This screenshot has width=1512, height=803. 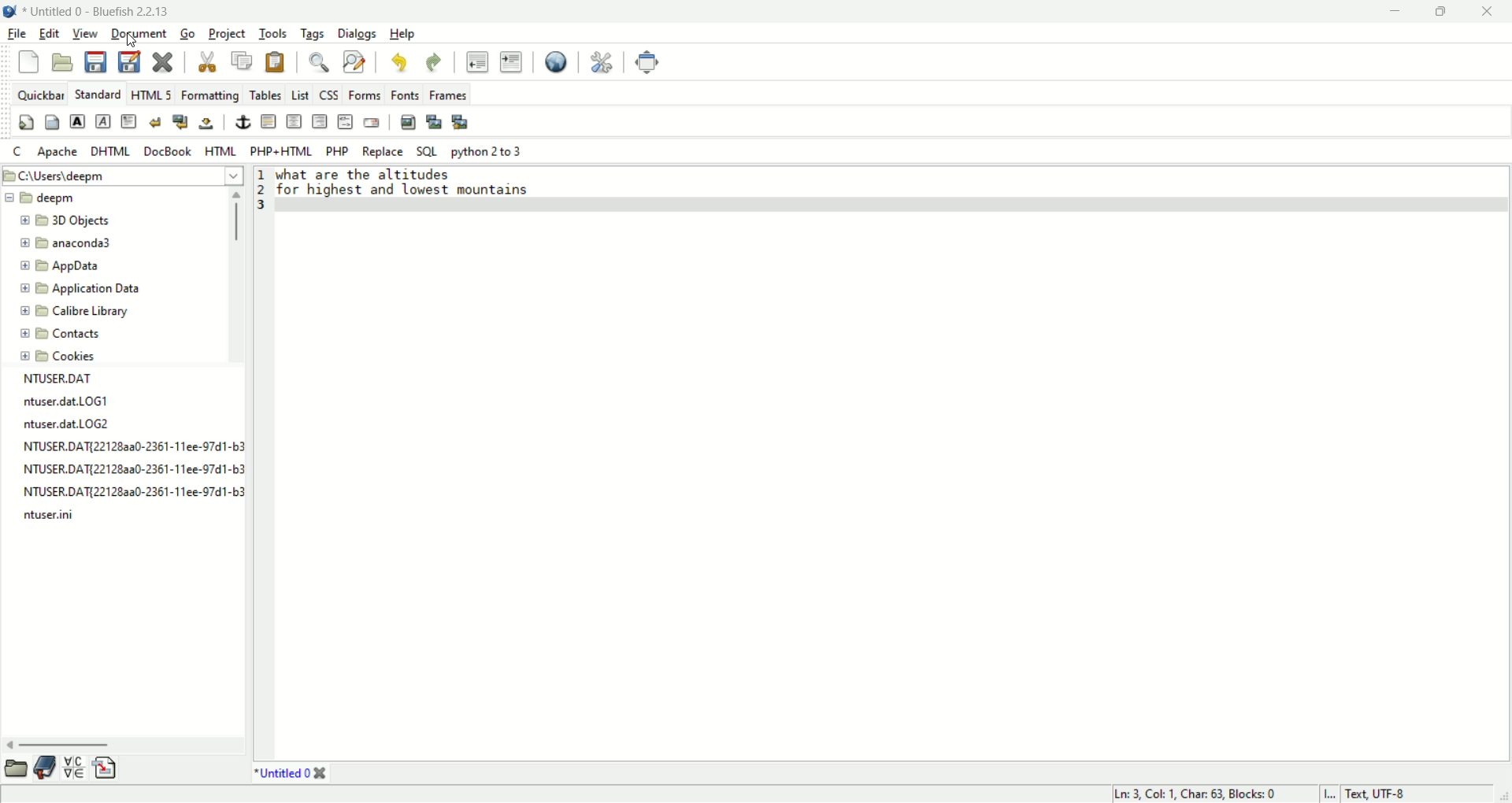 I want to click on open file, so click(x=61, y=61).